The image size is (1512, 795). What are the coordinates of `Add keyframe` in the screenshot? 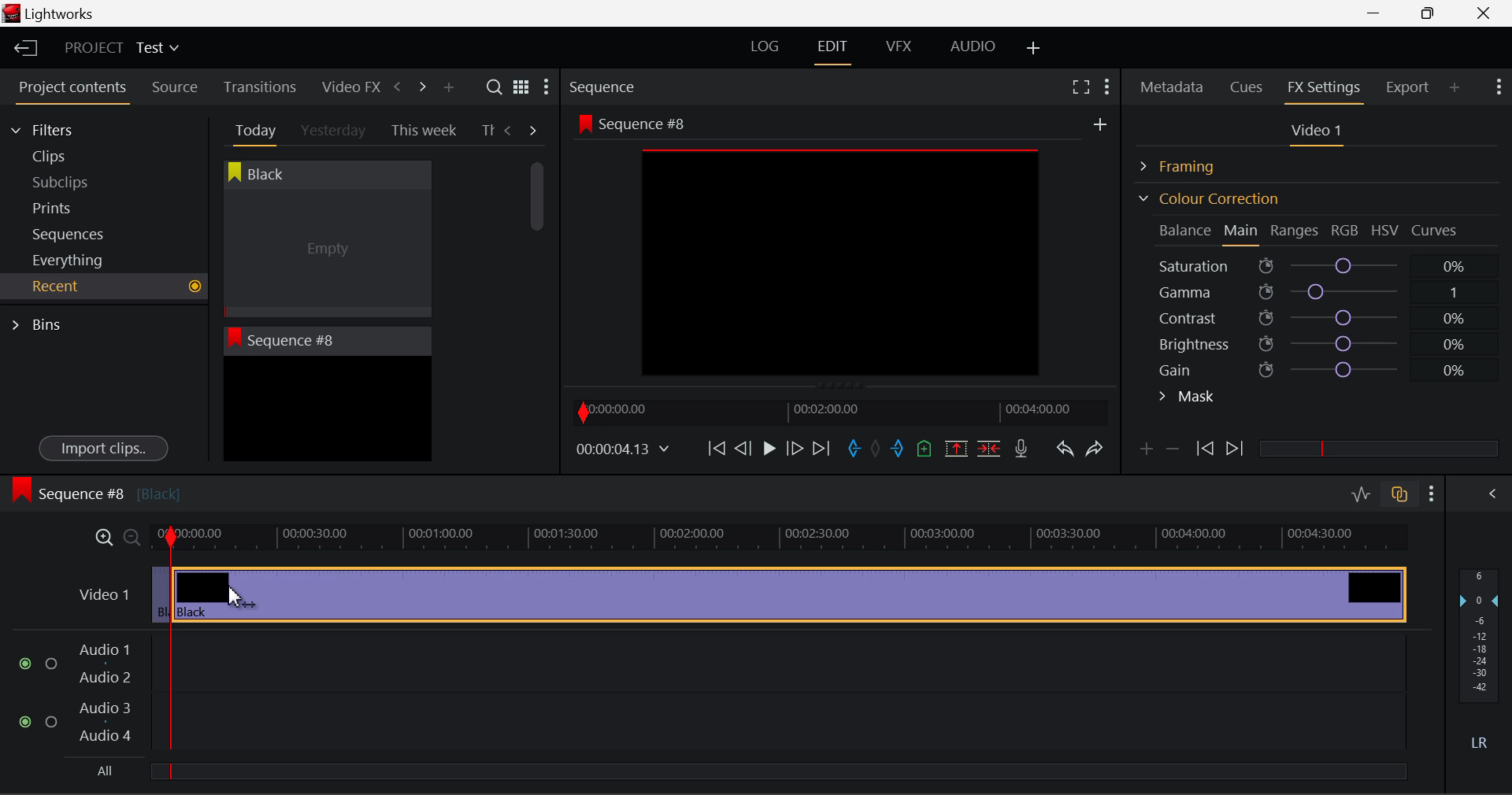 It's located at (1143, 452).